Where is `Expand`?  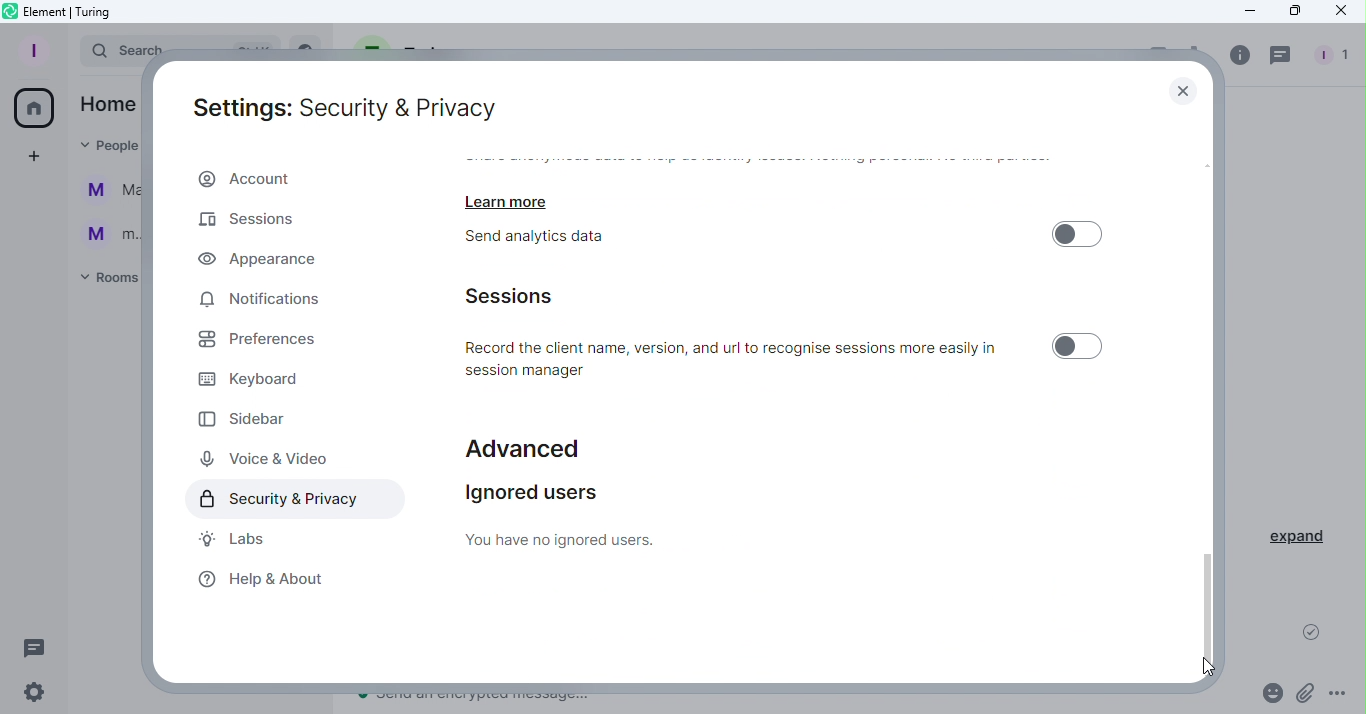 Expand is located at coordinates (1298, 537).